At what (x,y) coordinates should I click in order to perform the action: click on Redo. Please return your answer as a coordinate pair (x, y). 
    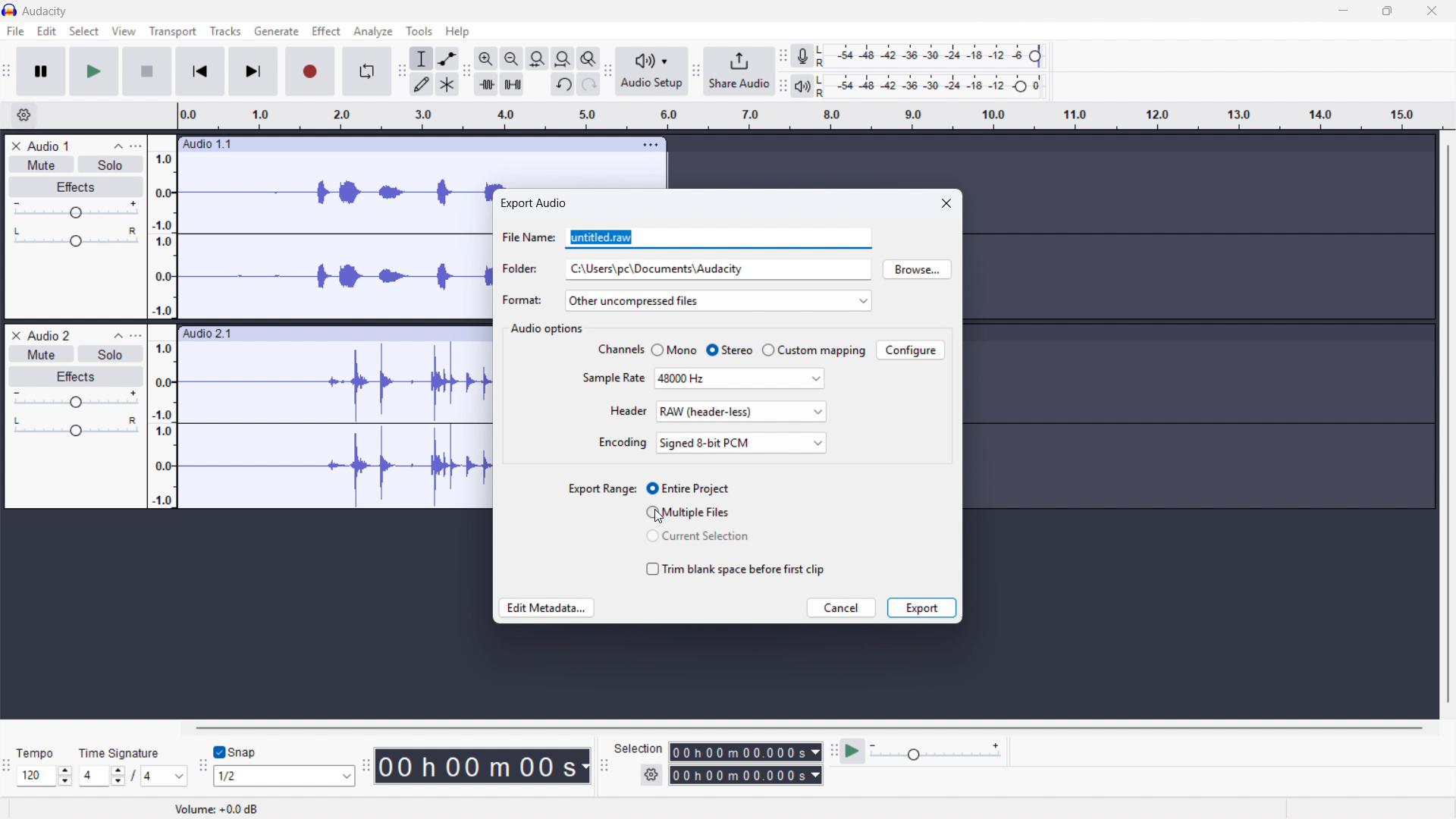
    Looking at the image, I should click on (589, 84).